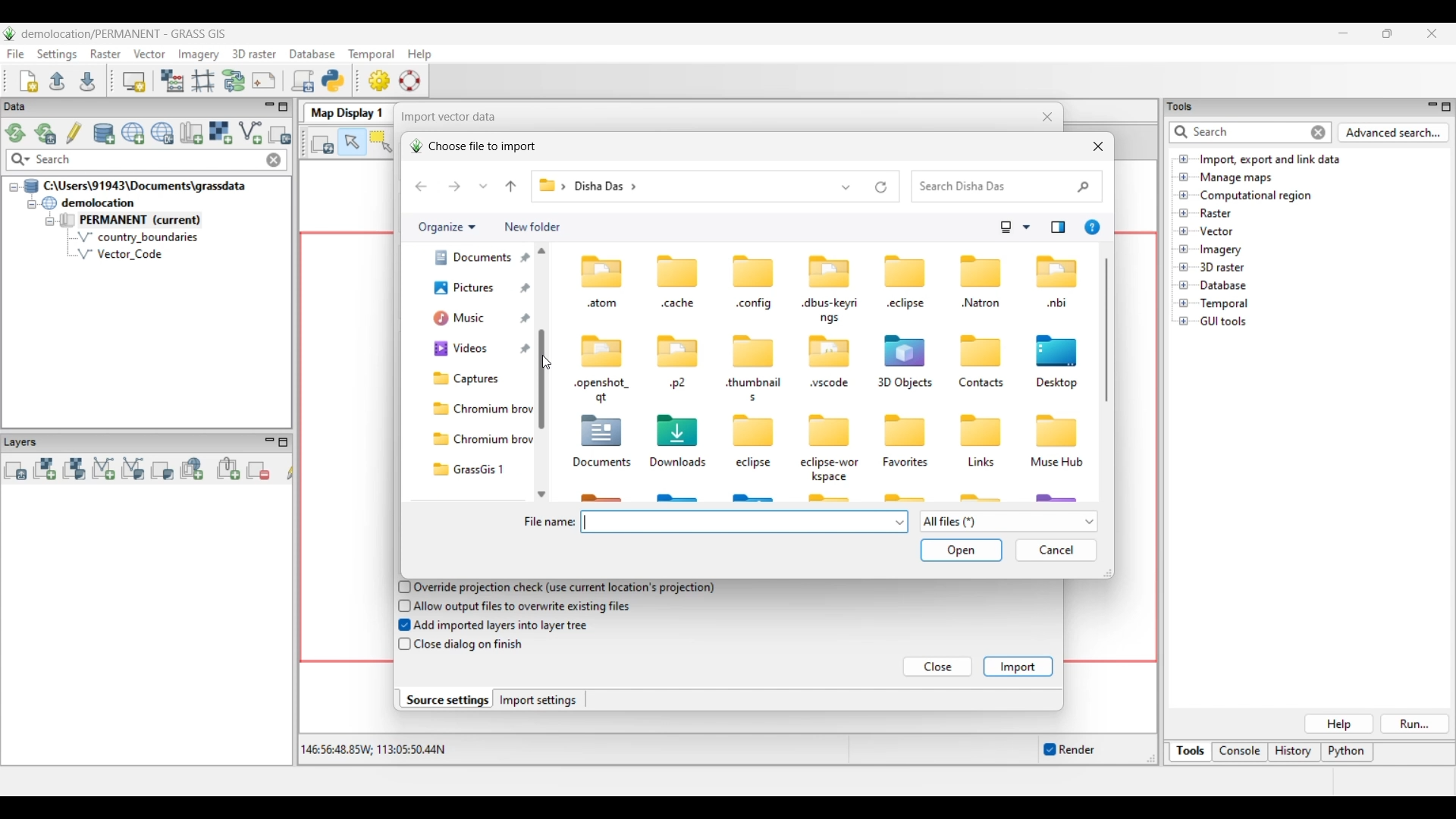  I want to click on Type in or enter details for quick search, so click(1237, 132).